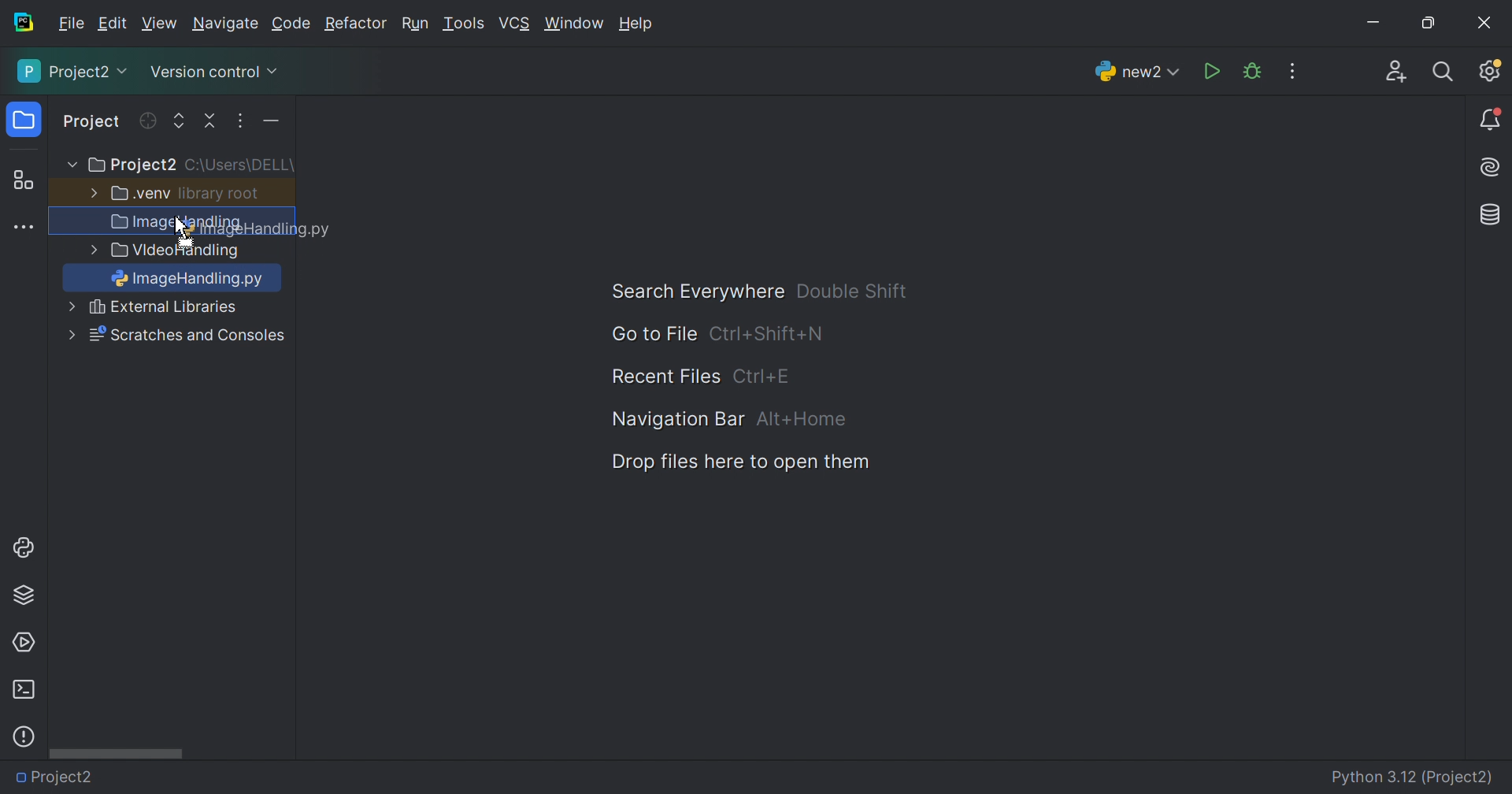 This screenshot has width=1512, height=794. I want to click on More, so click(91, 191).